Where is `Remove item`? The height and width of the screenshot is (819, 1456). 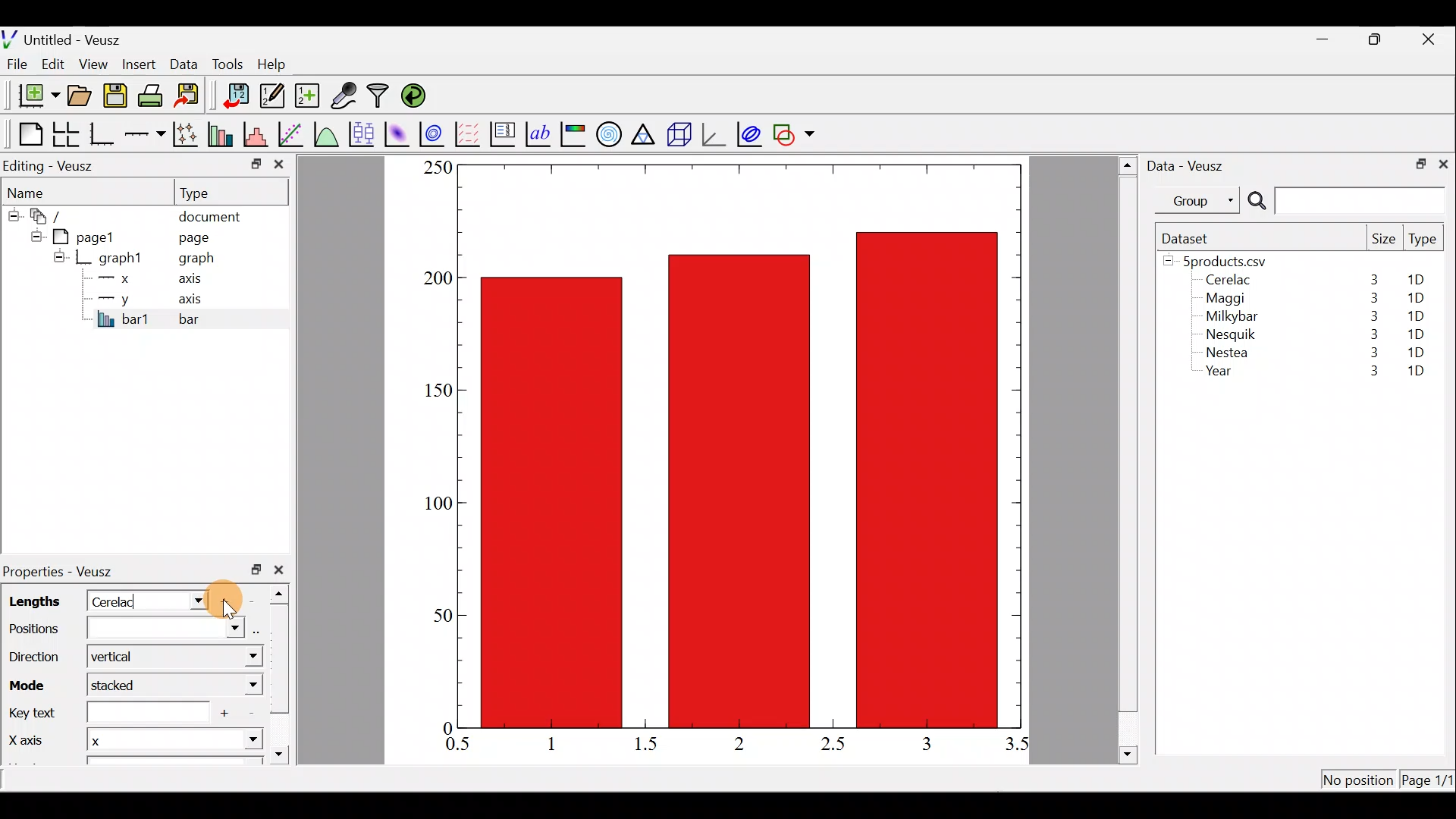 Remove item is located at coordinates (256, 600).